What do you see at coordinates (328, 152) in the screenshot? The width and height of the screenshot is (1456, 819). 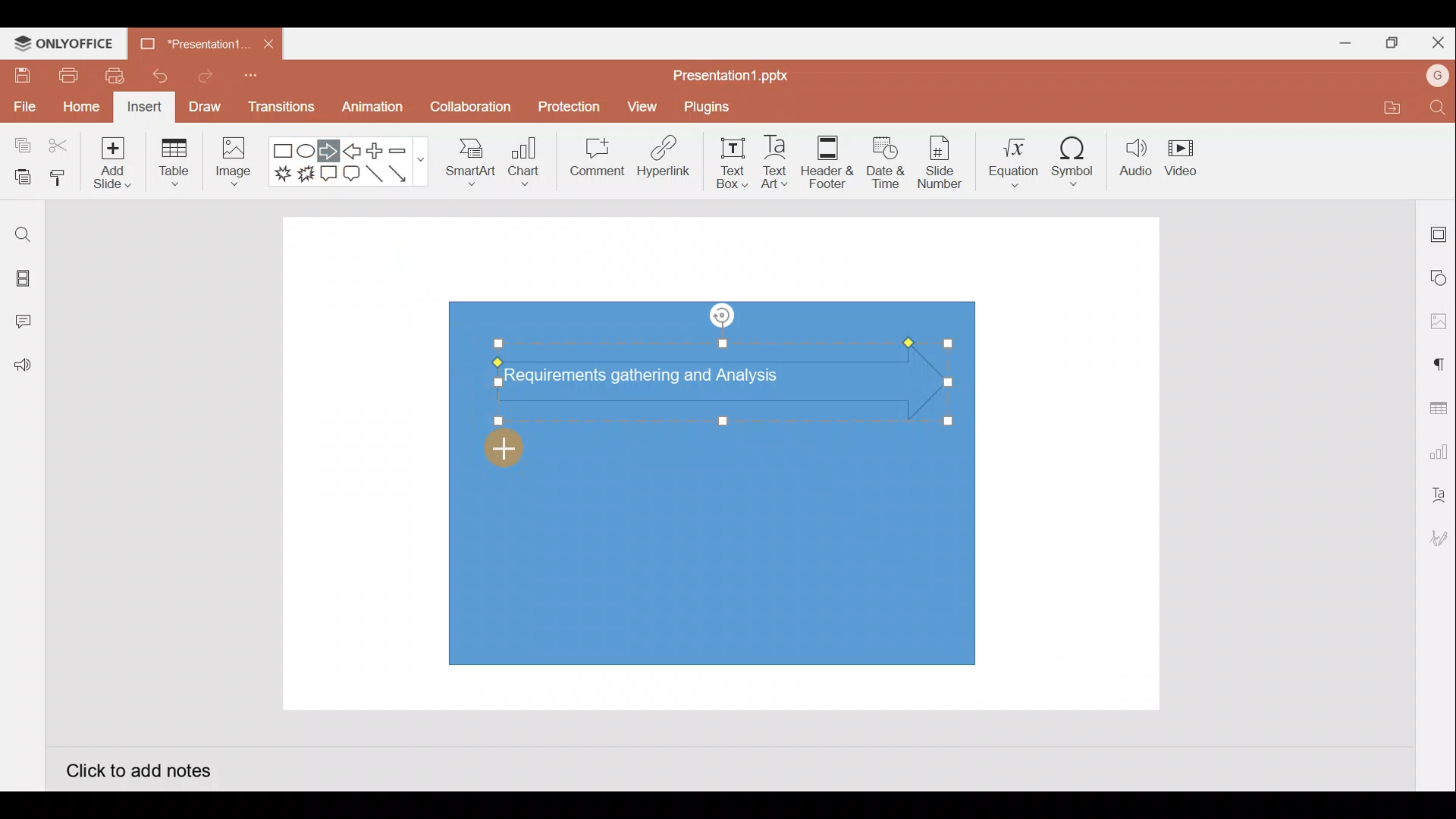 I see `Right arrow` at bounding box center [328, 152].